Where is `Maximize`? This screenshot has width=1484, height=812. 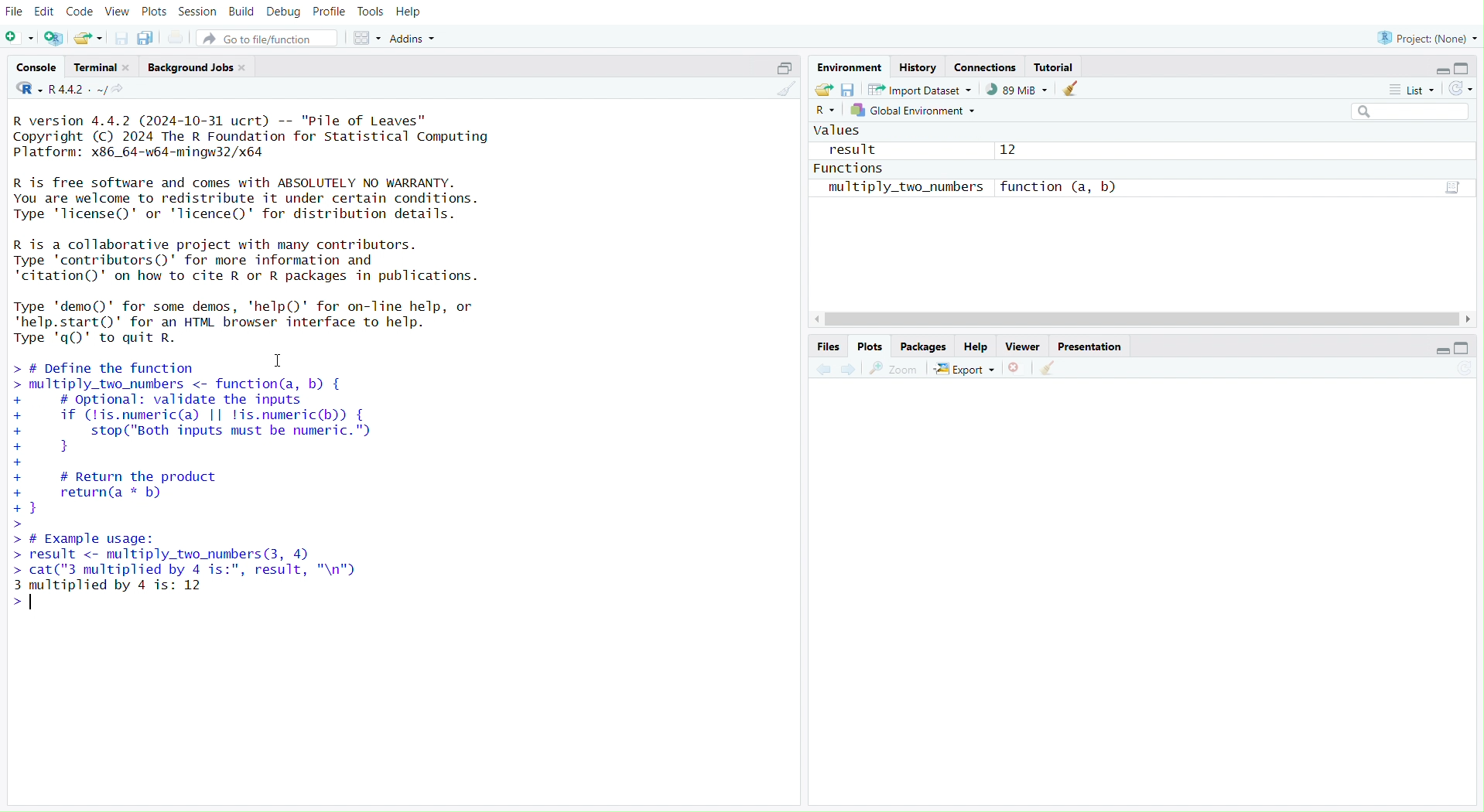 Maximize is located at coordinates (1469, 347).